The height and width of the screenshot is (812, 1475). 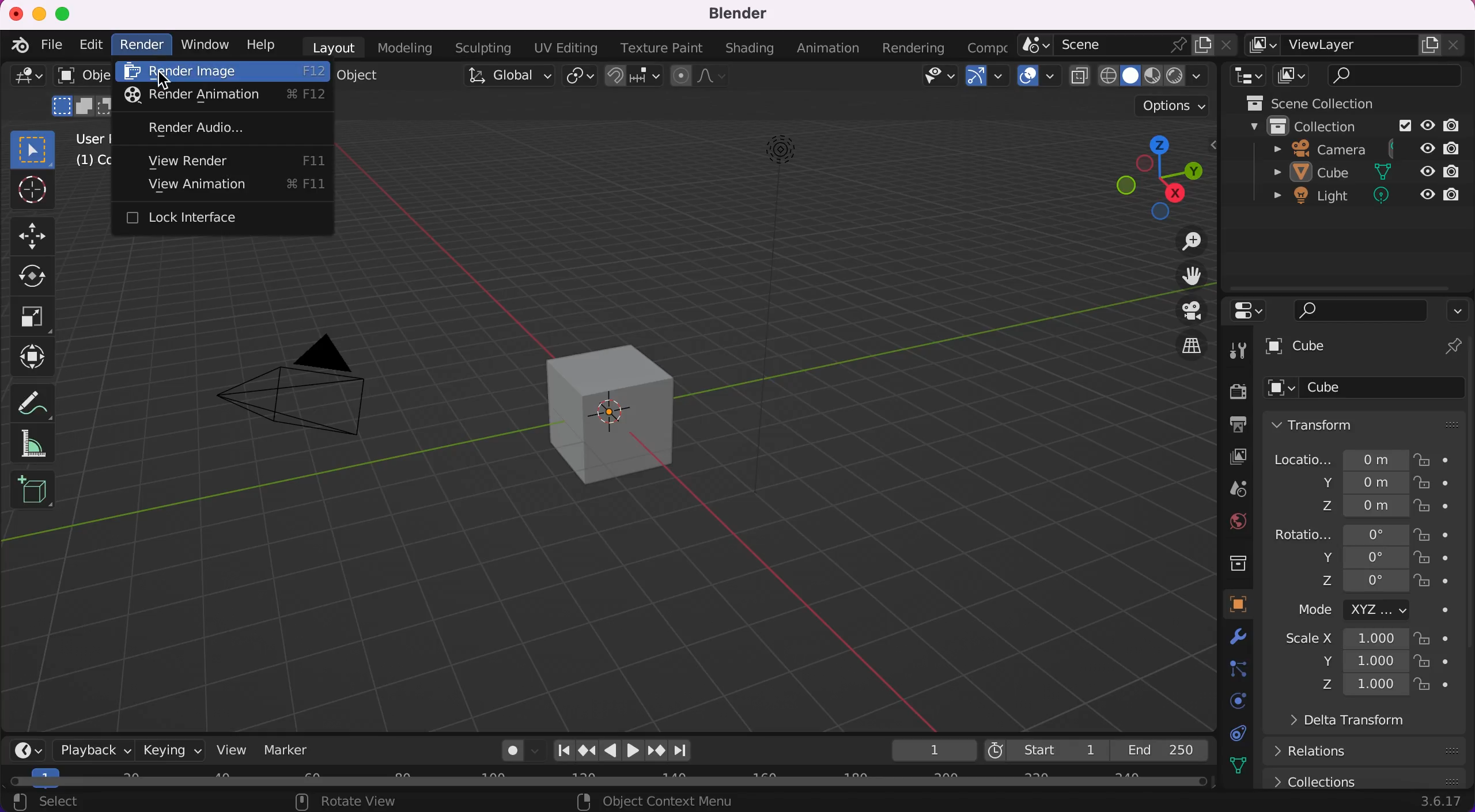 What do you see at coordinates (1335, 458) in the screenshot?
I see `locatio... 0m` at bounding box center [1335, 458].